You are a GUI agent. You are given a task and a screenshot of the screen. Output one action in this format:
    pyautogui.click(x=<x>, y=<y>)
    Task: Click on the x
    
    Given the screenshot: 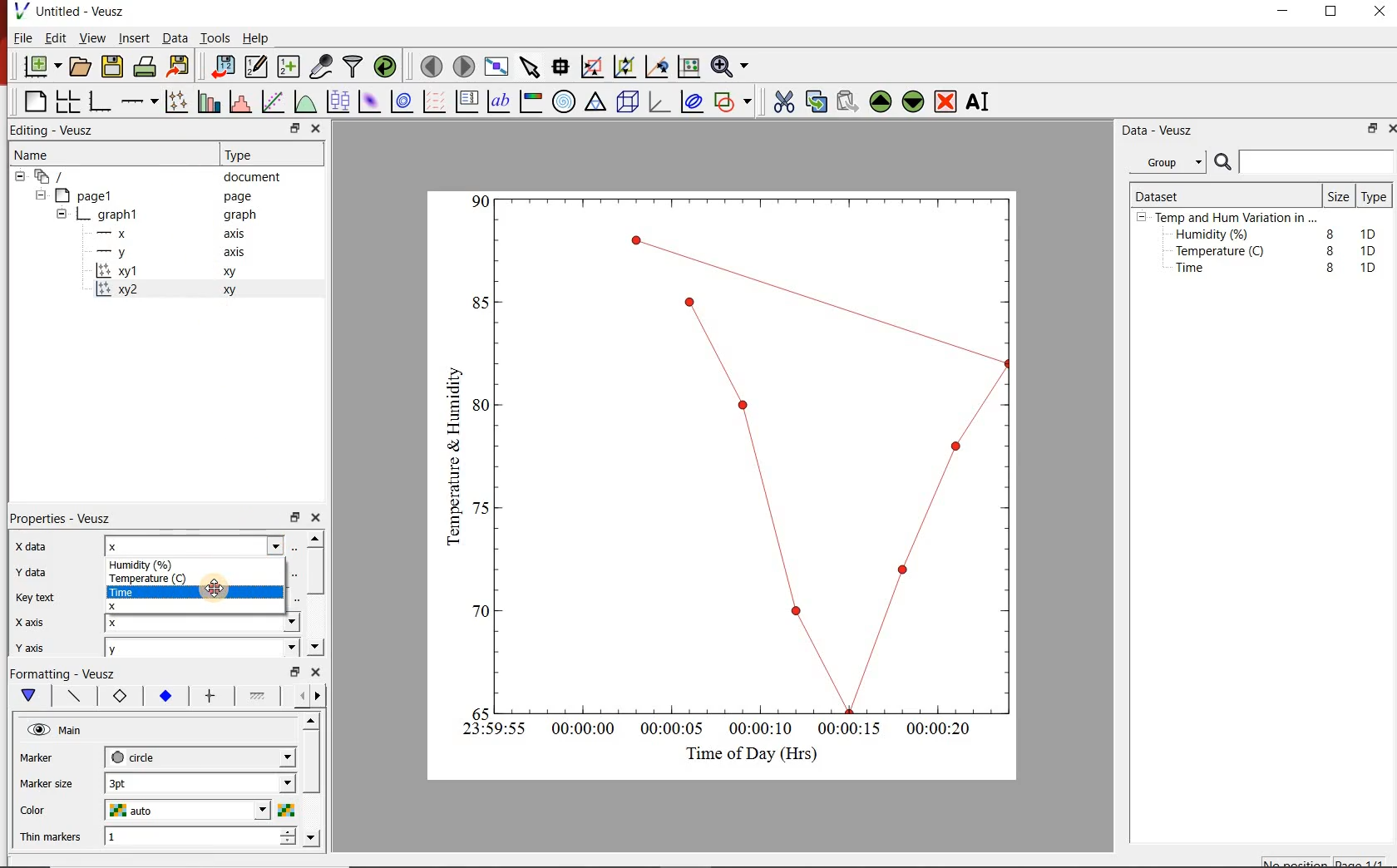 What is the action you would take?
    pyautogui.click(x=138, y=623)
    